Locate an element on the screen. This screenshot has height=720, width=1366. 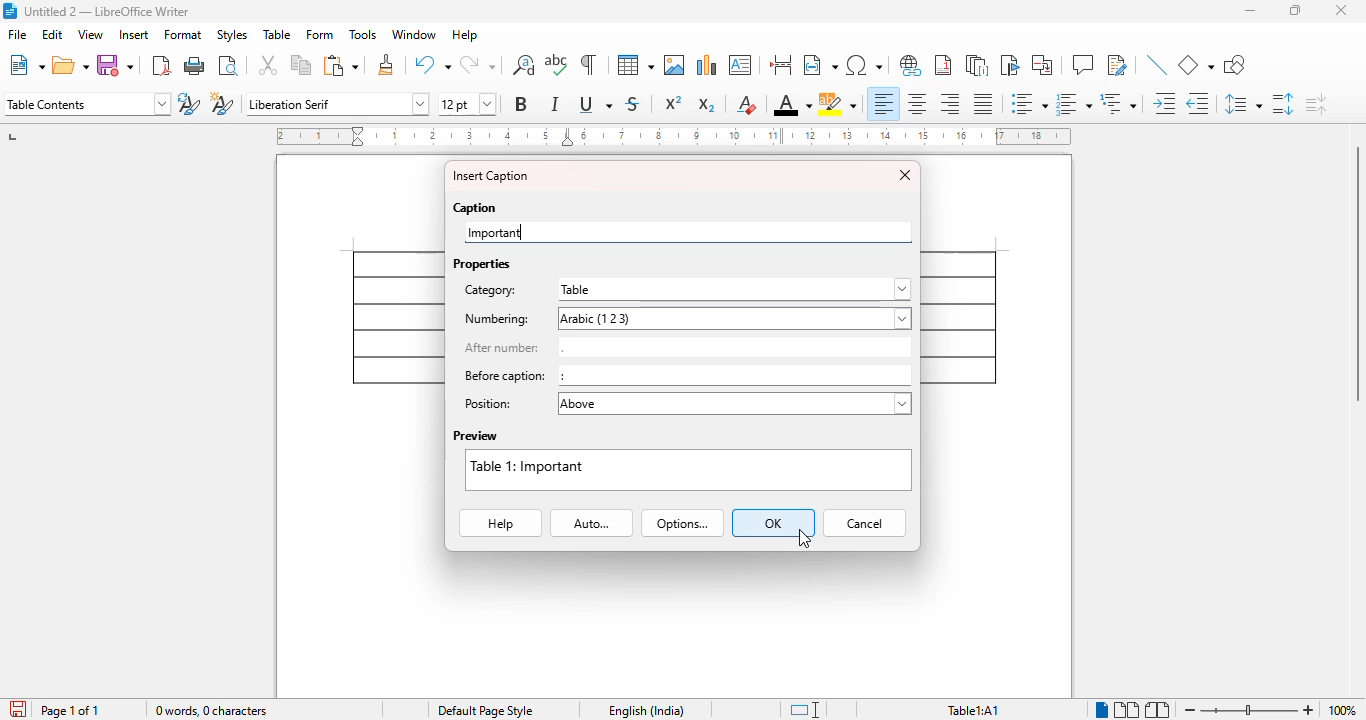
save is located at coordinates (114, 65).